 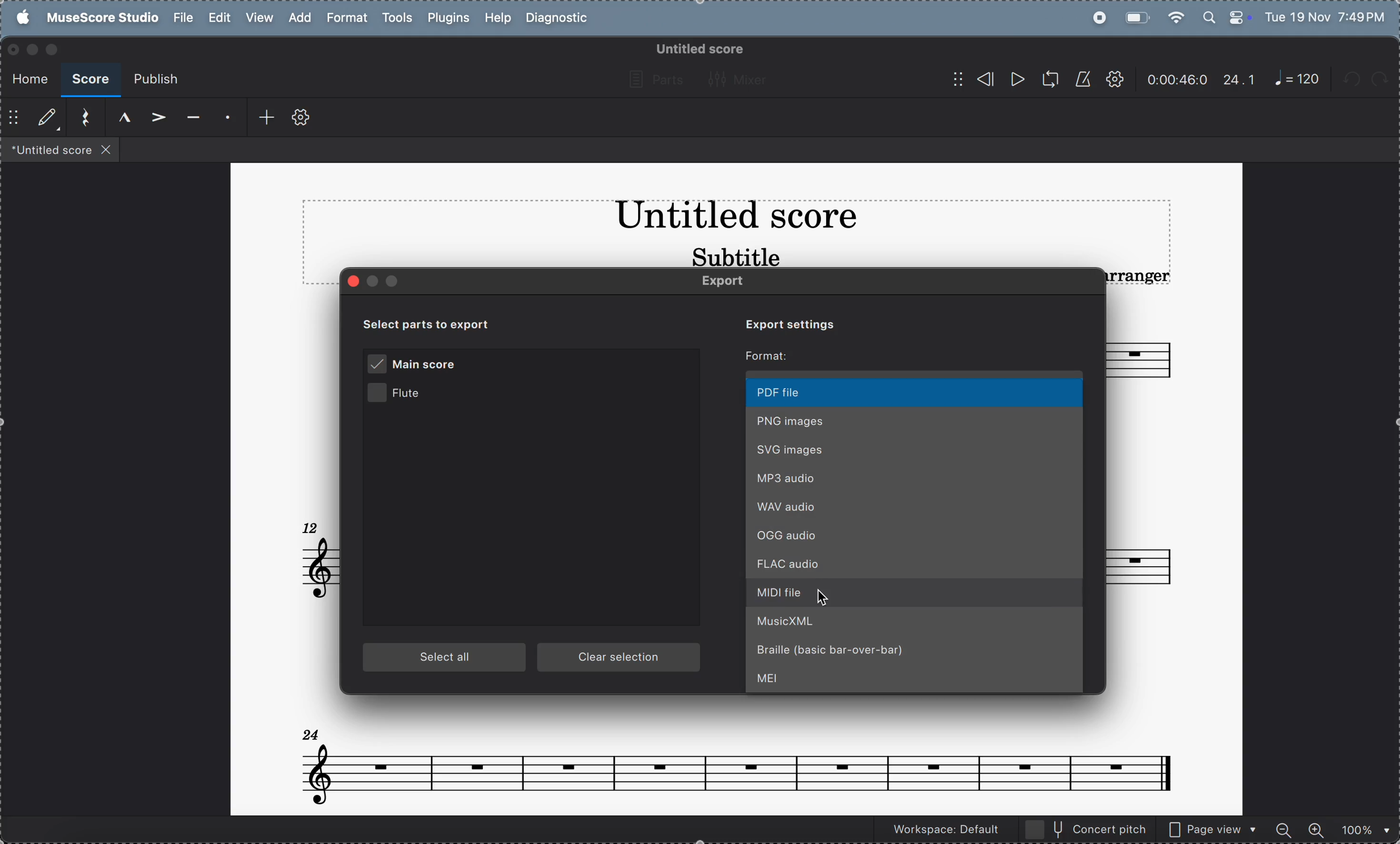 What do you see at coordinates (770, 356) in the screenshot?
I see `Format` at bounding box center [770, 356].